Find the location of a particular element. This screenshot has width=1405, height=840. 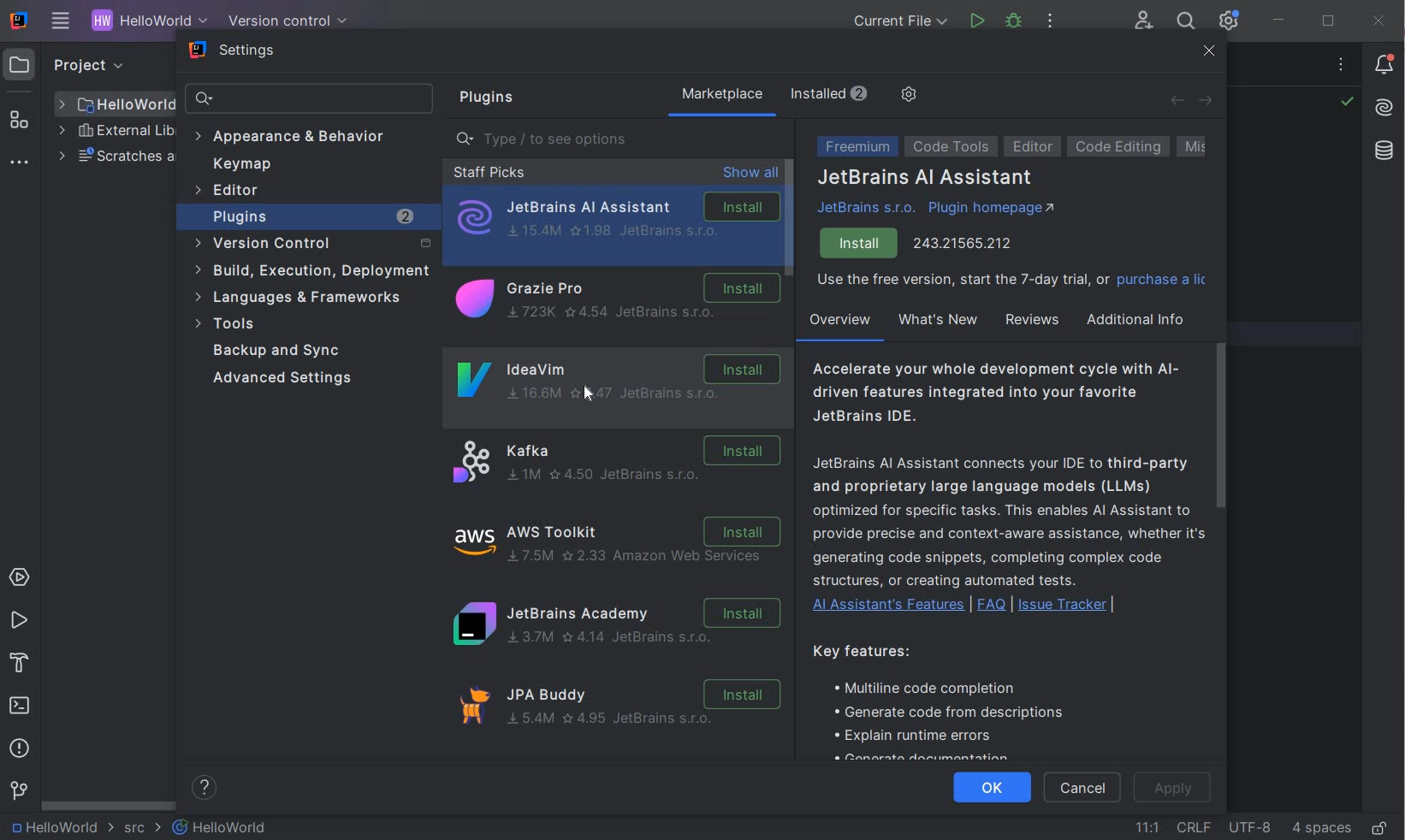

MAKE FILE READY ONLY is located at coordinates (1379, 829).